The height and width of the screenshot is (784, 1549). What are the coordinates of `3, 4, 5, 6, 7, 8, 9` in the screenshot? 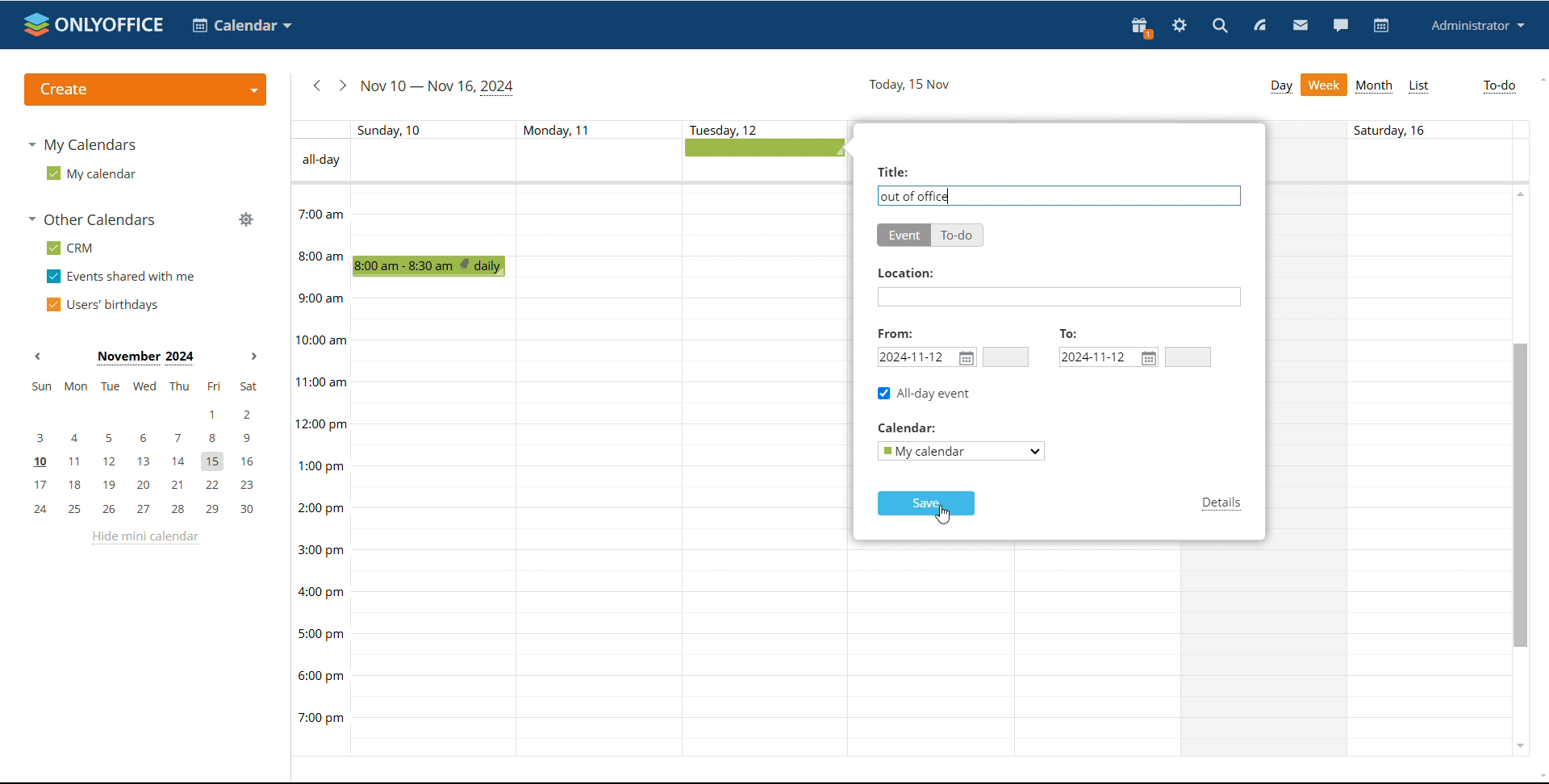 It's located at (148, 439).